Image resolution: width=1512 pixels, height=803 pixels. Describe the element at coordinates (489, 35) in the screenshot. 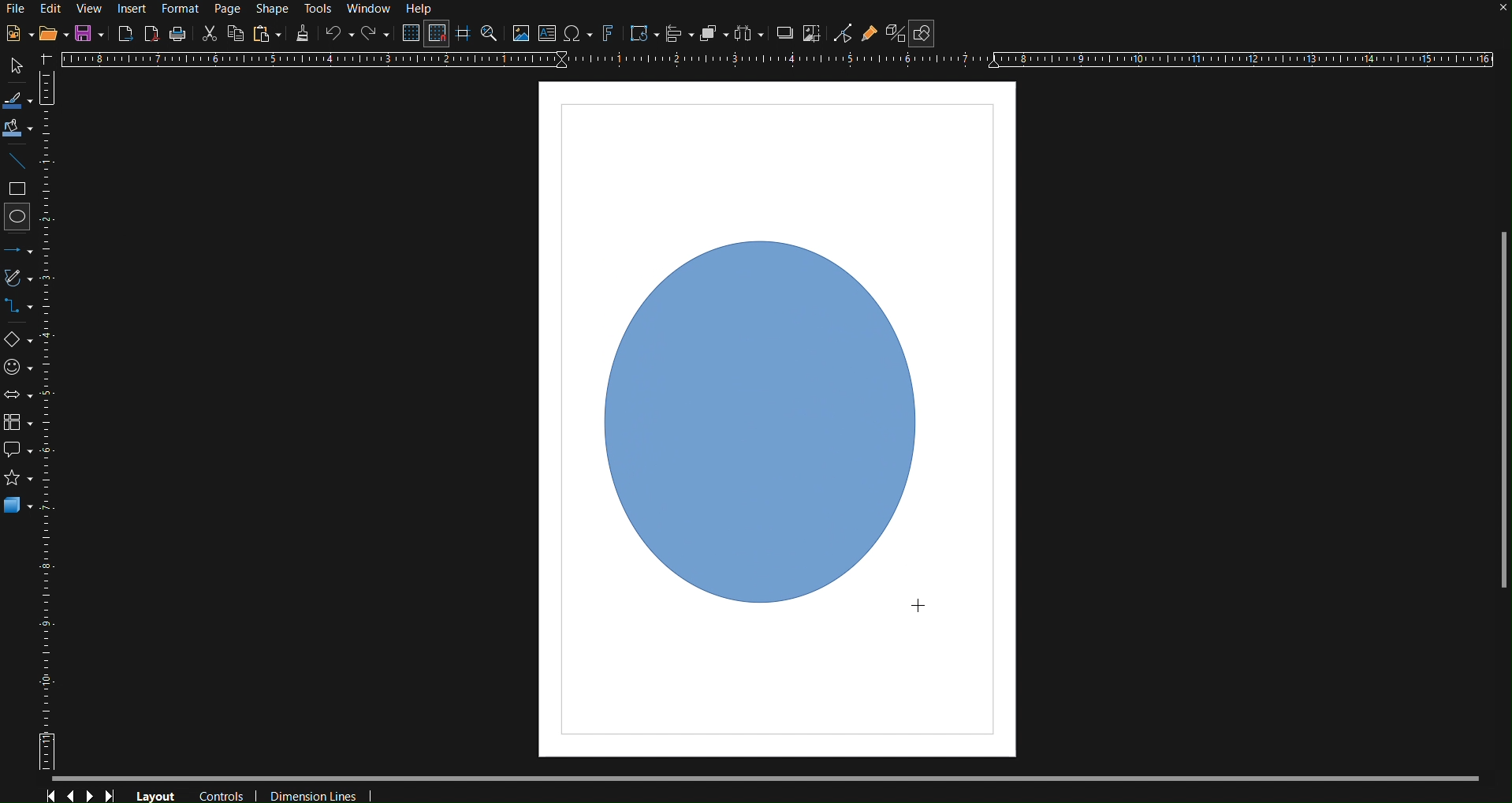

I see `Zoom and Pan` at that location.